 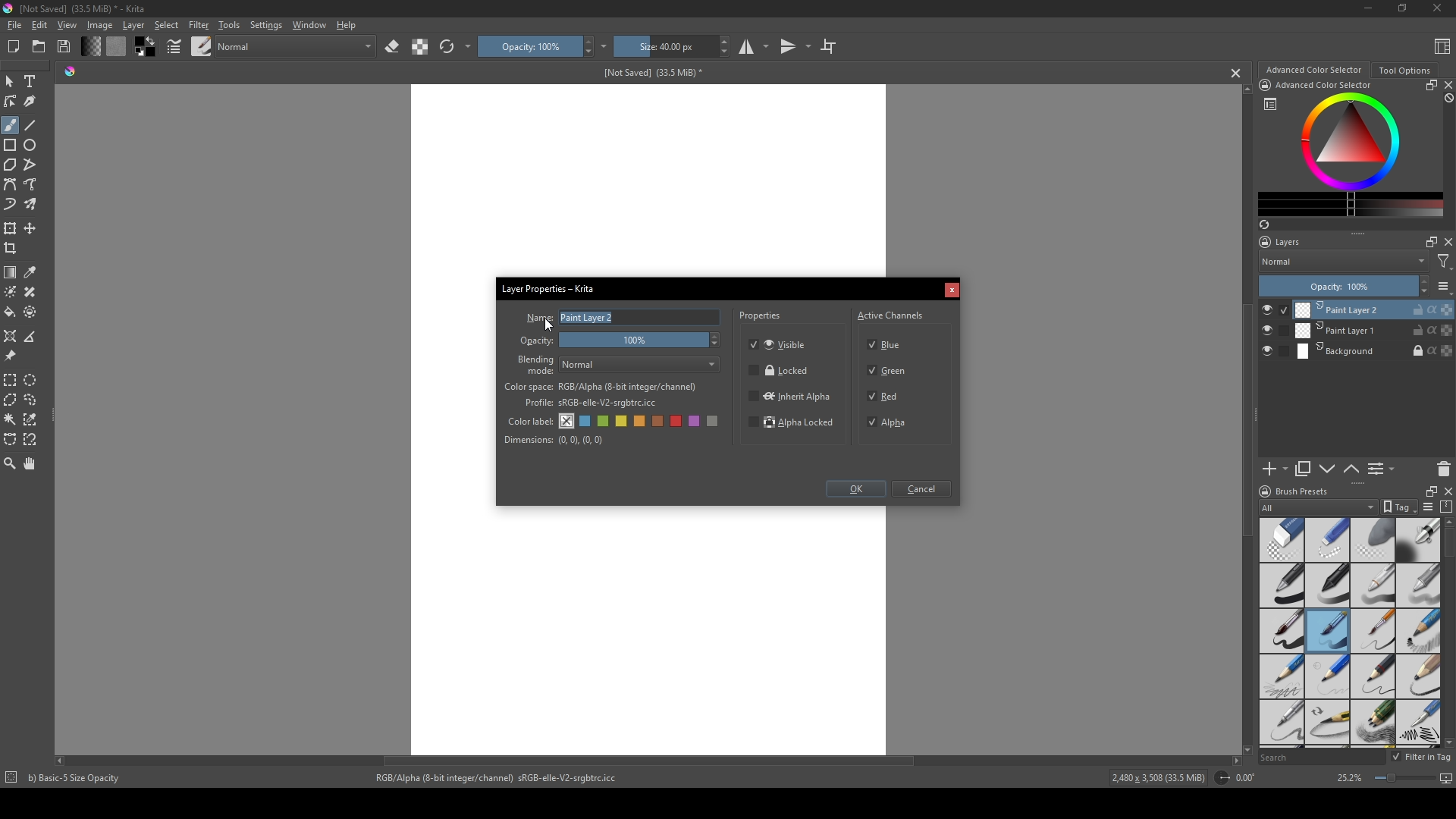 I want to click on close, so click(x=1447, y=85).